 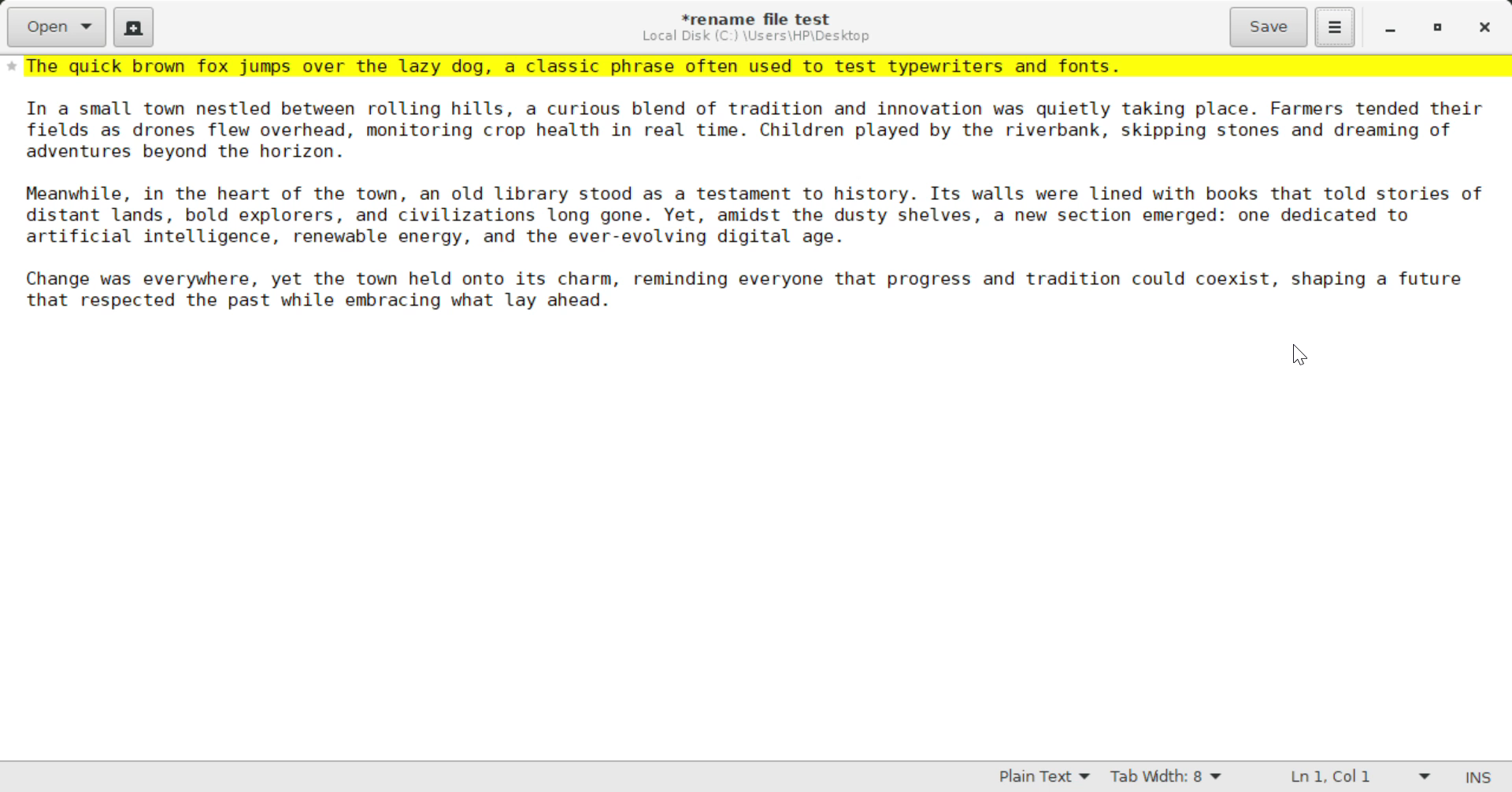 What do you see at coordinates (1170, 777) in the screenshot?
I see `Tab Width` at bounding box center [1170, 777].